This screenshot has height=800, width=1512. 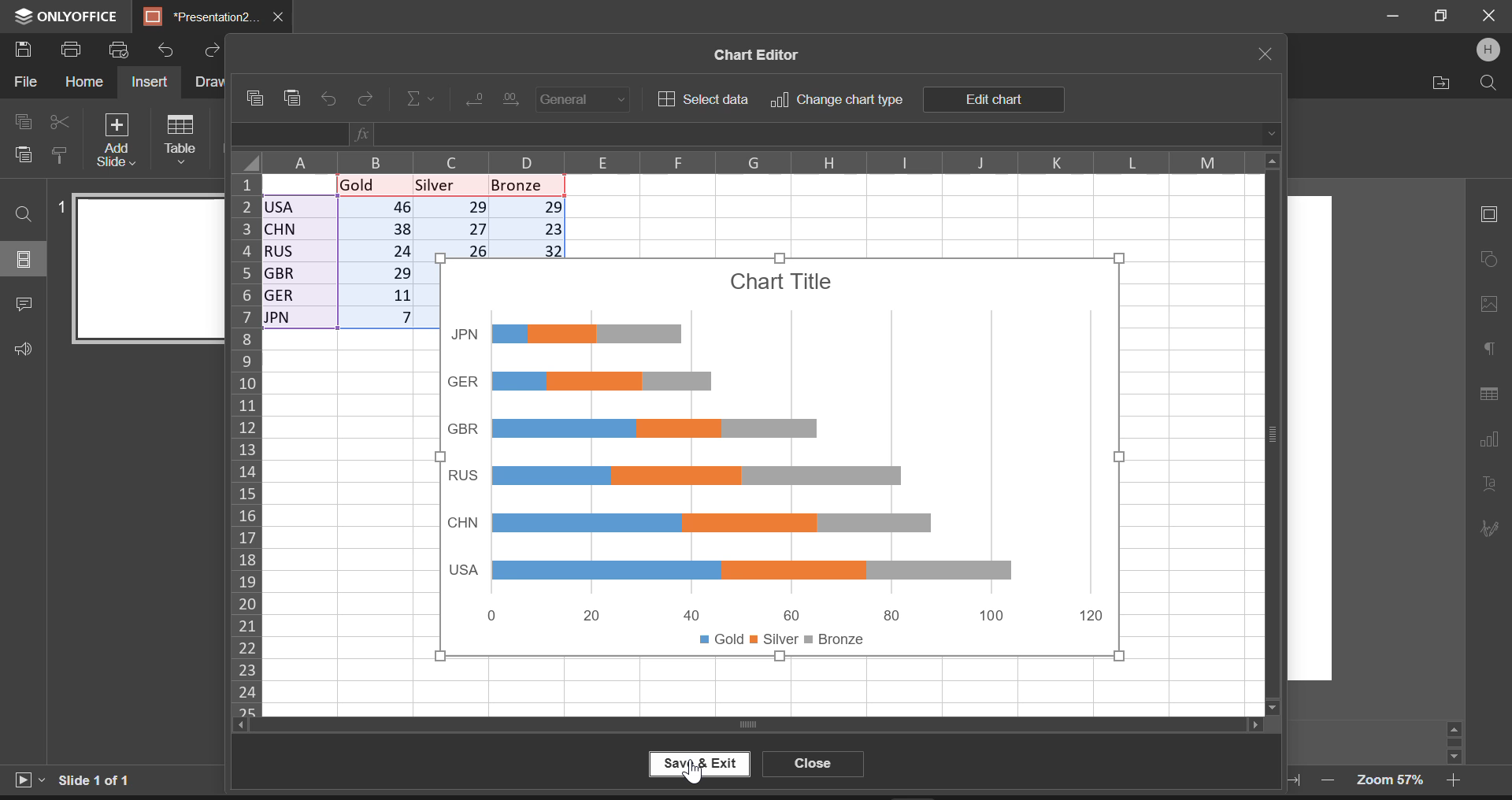 What do you see at coordinates (1266, 56) in the screenshot?
I see `Close` at bounding box center [1266, 56].